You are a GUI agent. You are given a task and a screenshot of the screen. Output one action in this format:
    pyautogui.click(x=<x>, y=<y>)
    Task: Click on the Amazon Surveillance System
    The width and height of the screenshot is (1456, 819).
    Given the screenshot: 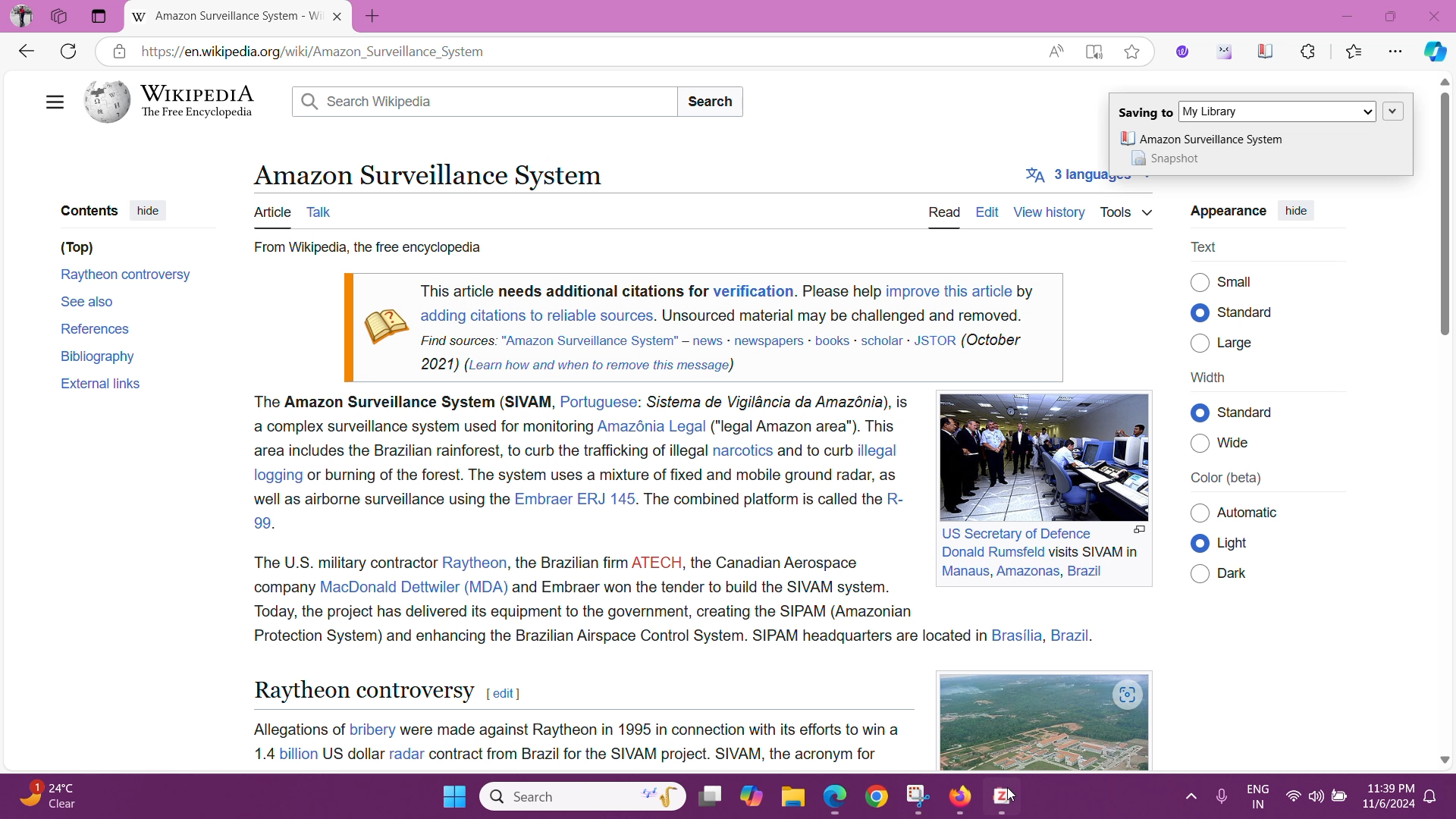 What is the action you would take?
    pyautogui.click(x=1200, y=139)
    